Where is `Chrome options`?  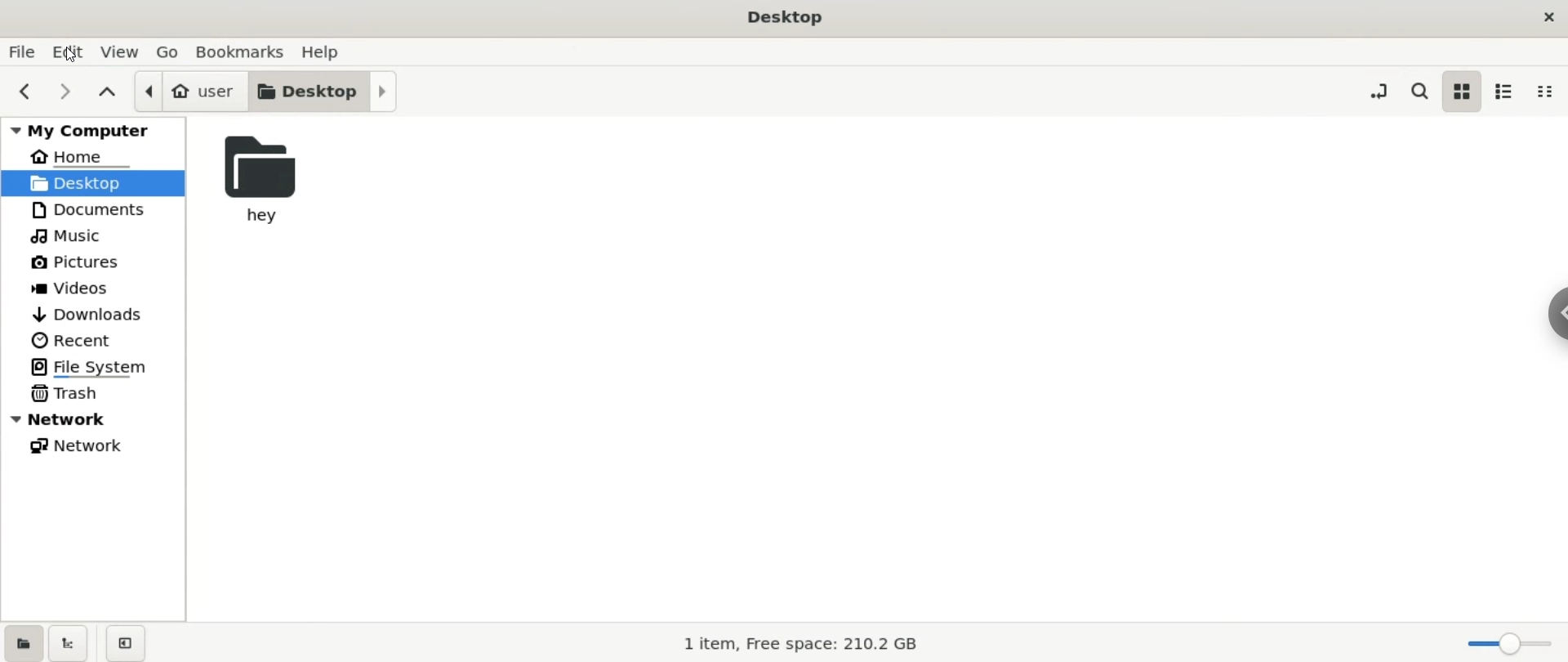
Chrome options is located at coordinates (1557, 313).